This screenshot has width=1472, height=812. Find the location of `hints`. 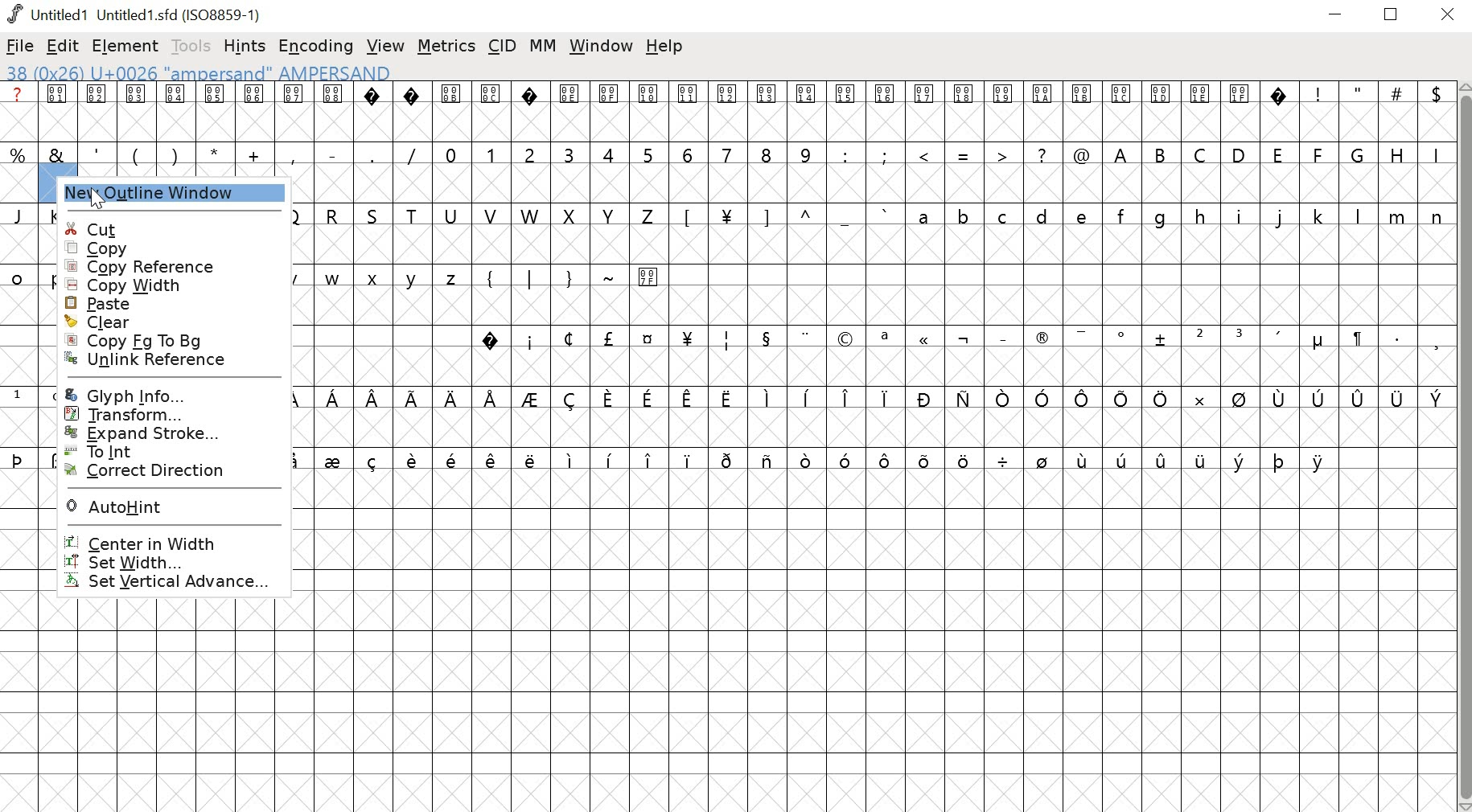

hints is located at coordinates (247, 45).